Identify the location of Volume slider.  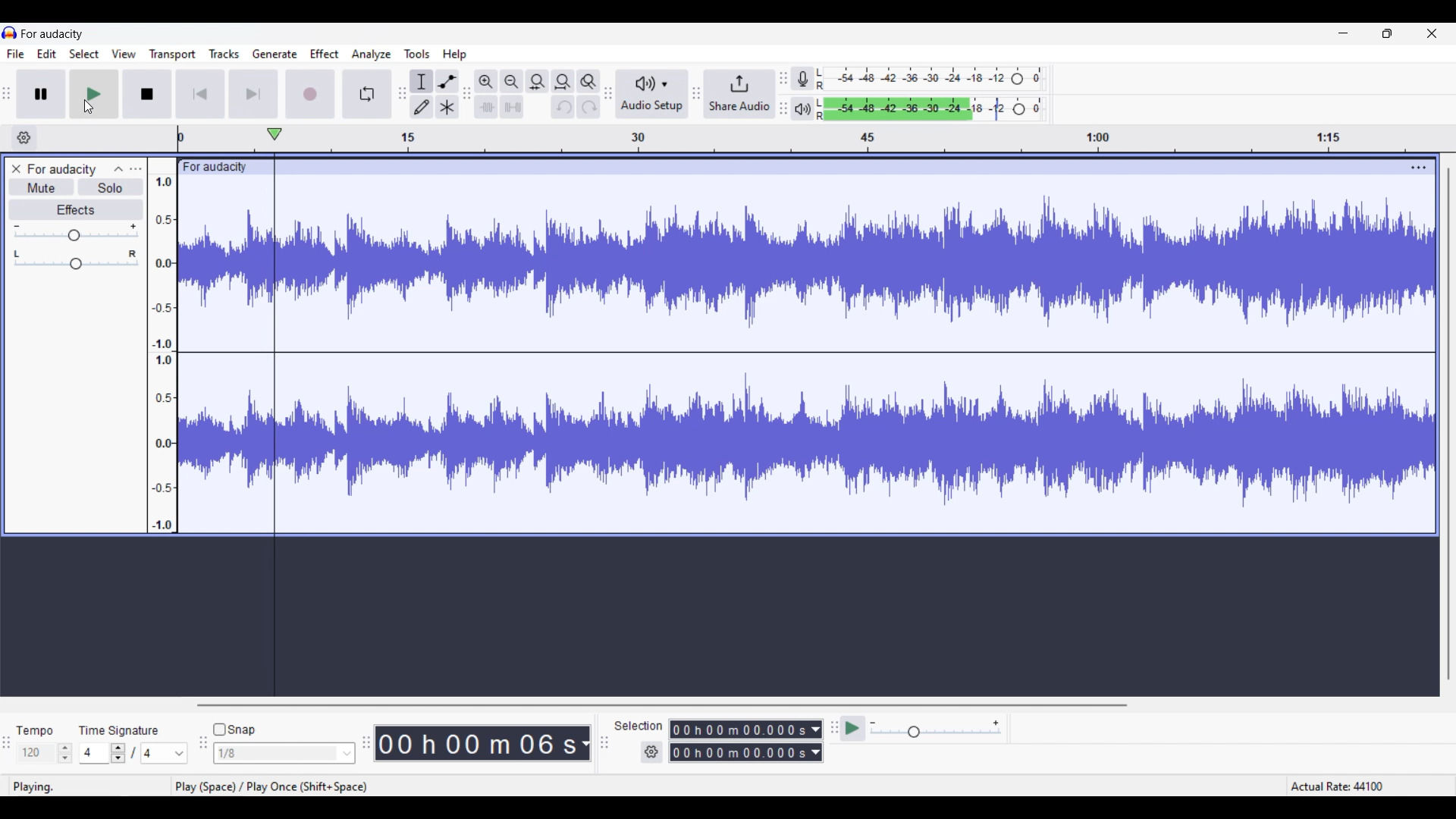
(76, 232).